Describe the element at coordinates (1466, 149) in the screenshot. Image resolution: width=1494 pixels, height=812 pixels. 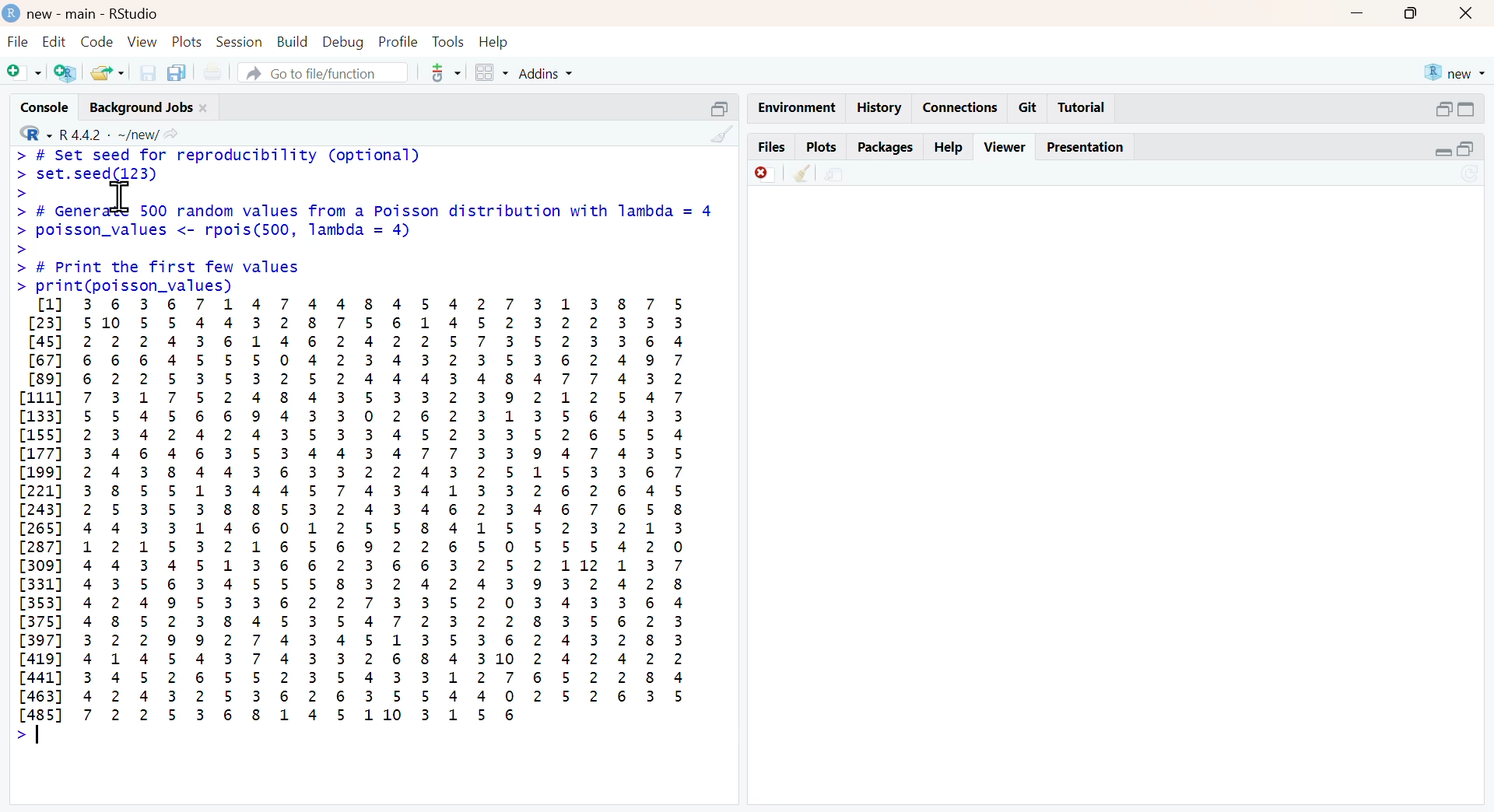
I see `open in separate window` at that location.